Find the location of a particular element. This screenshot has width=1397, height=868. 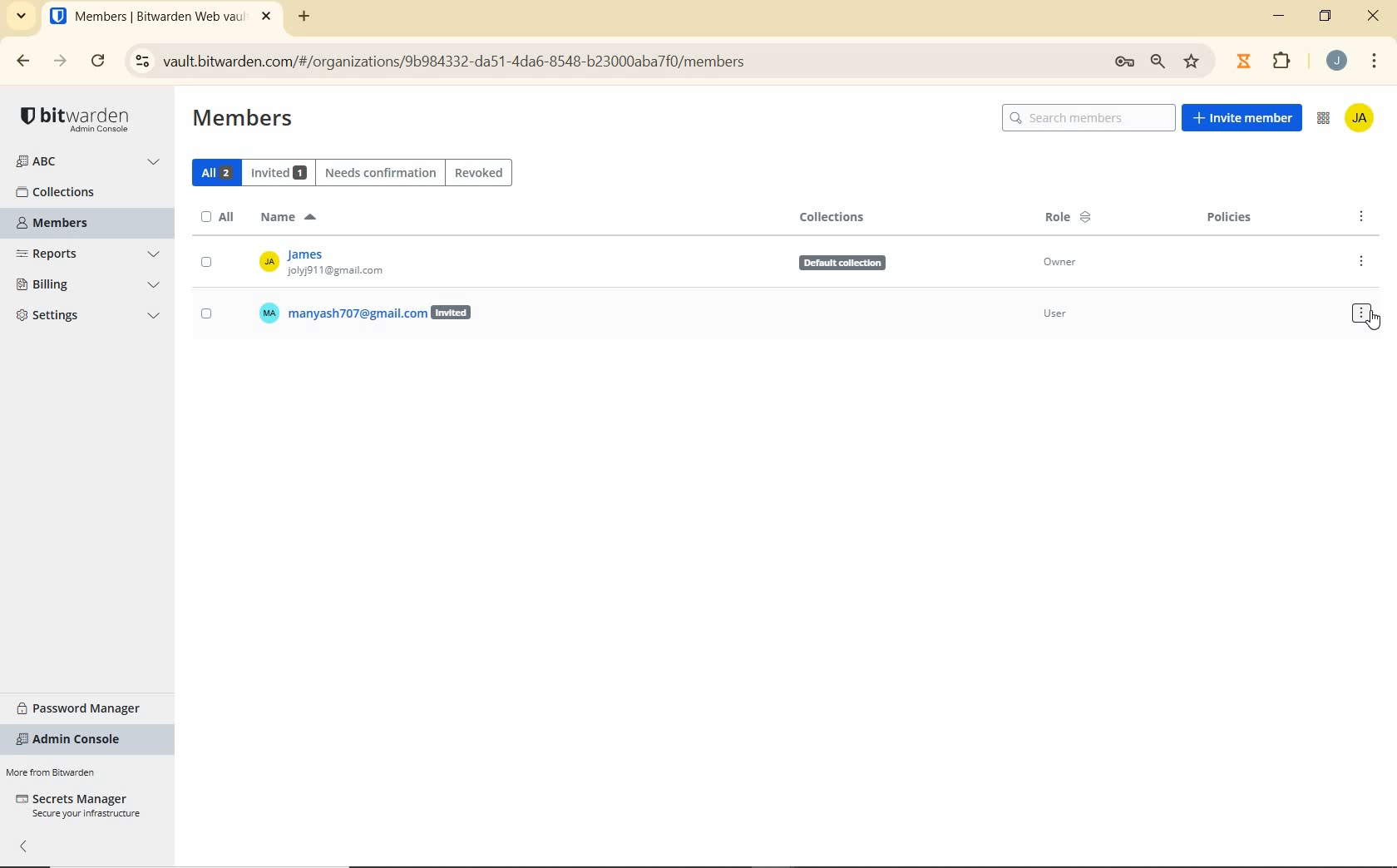

User is located at coordinates (1073, 317).